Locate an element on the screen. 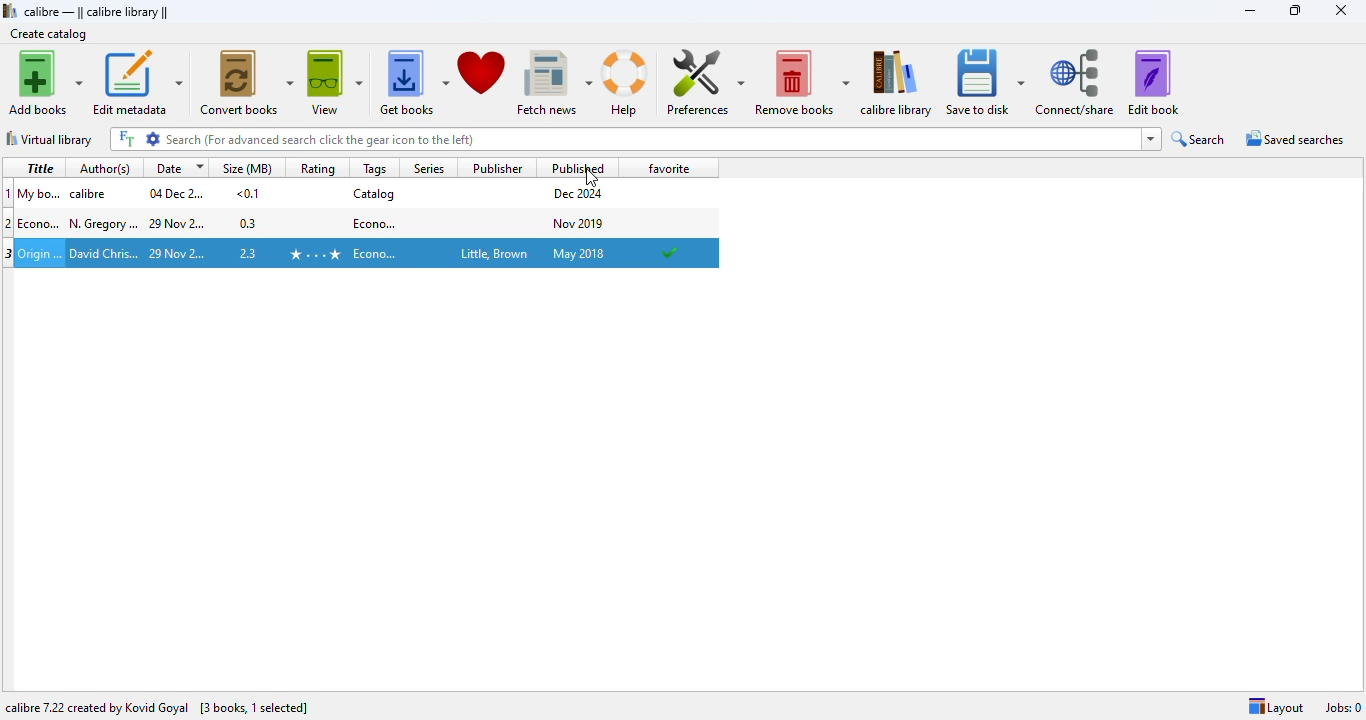 This screenshot has width=1366, height=720. size in mbs is located at coordinates (253, 254).